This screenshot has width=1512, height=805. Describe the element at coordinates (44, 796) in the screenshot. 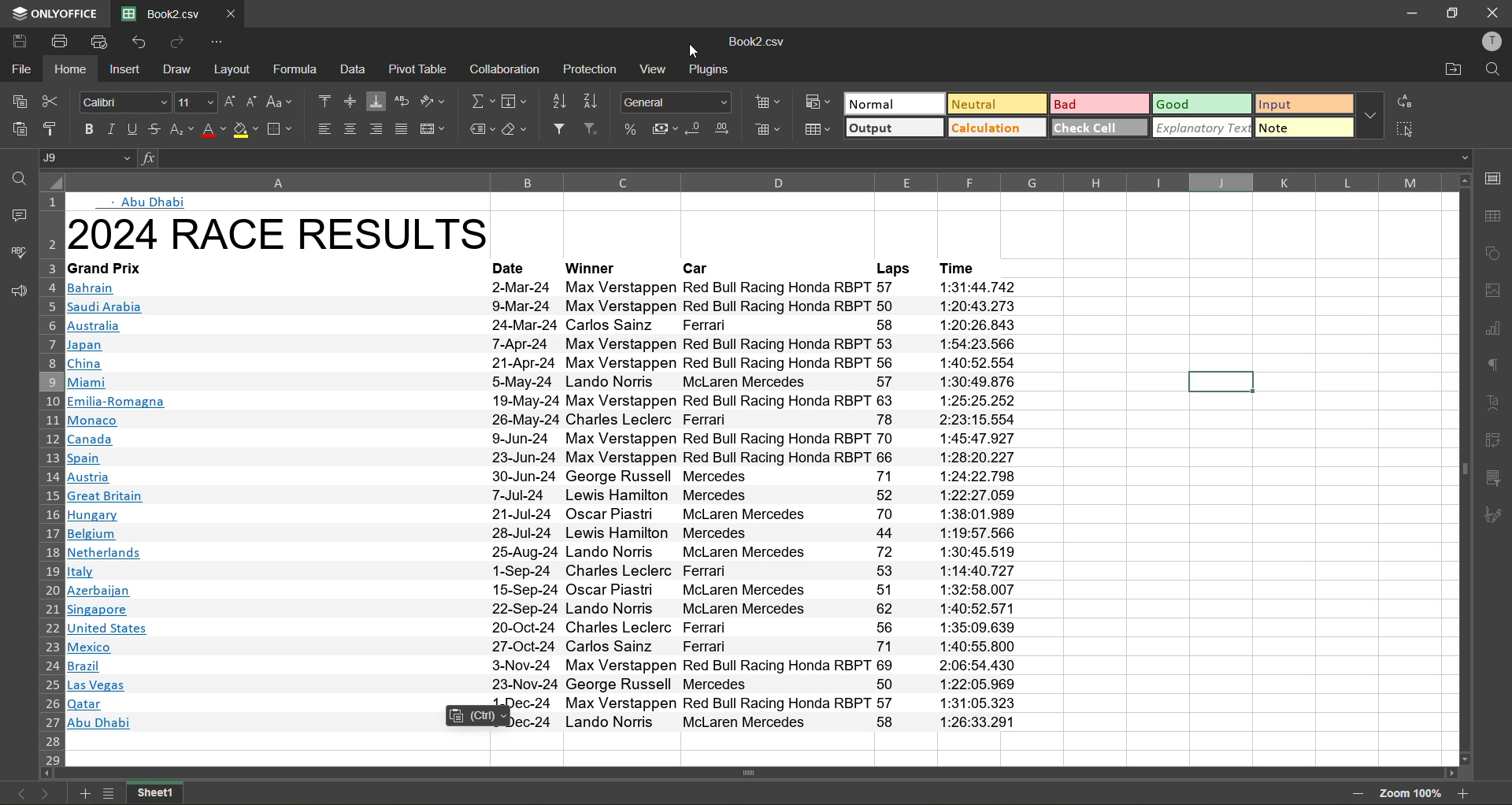

I see `next` at that location.